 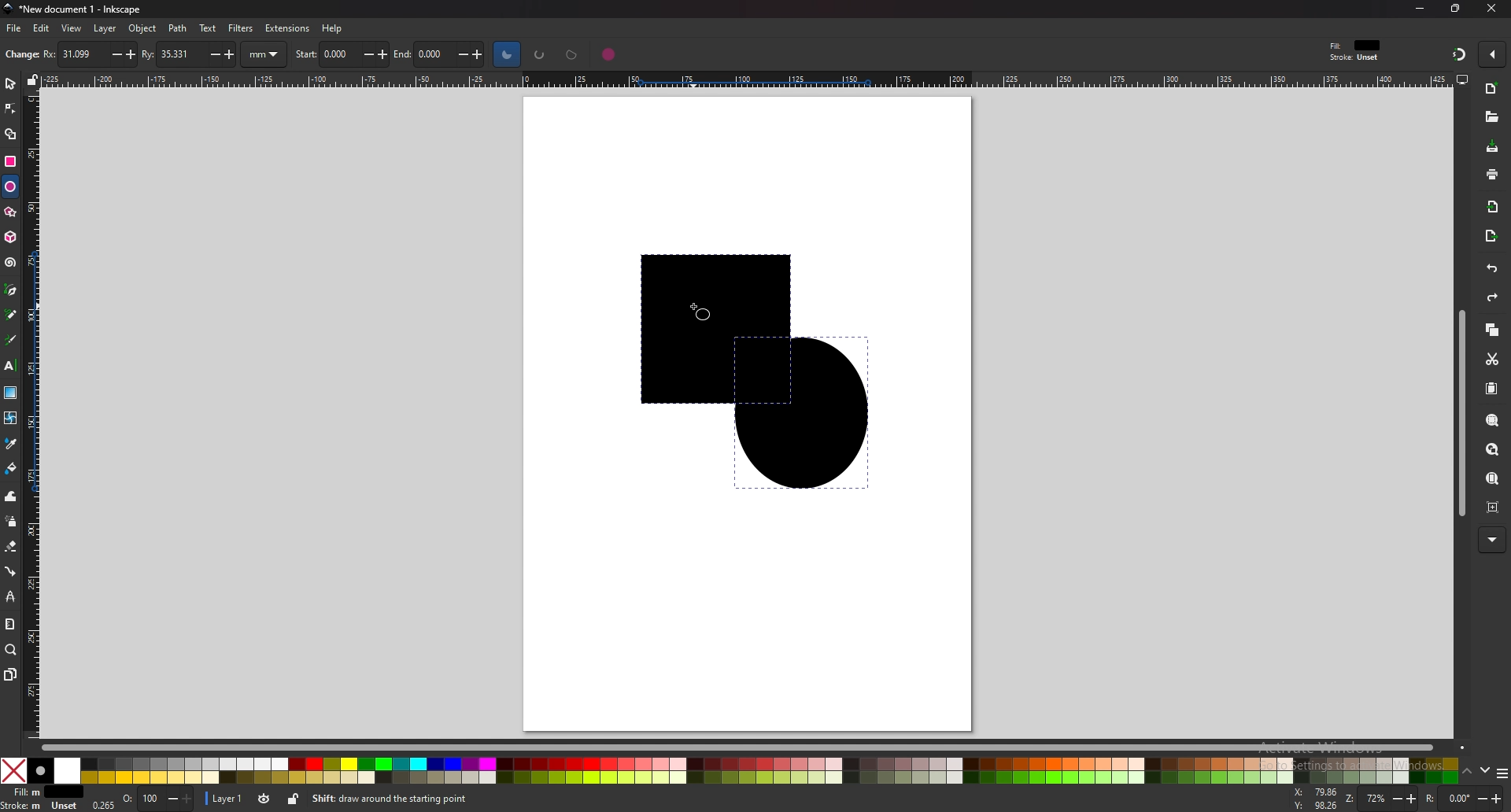 I want to click on pencil, so click(x=12, y=314).